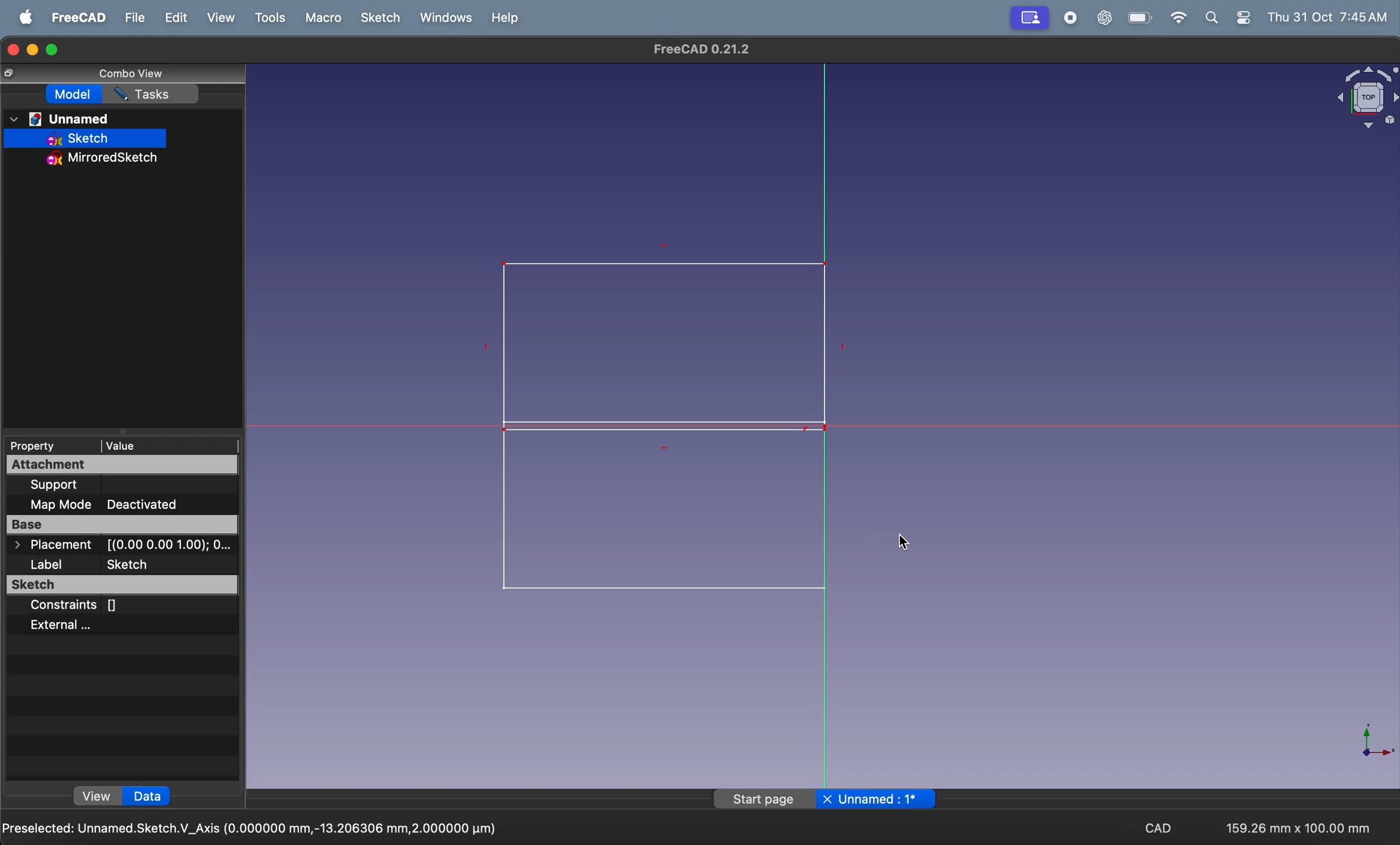  I want to click on battery, so click(1139, 18).